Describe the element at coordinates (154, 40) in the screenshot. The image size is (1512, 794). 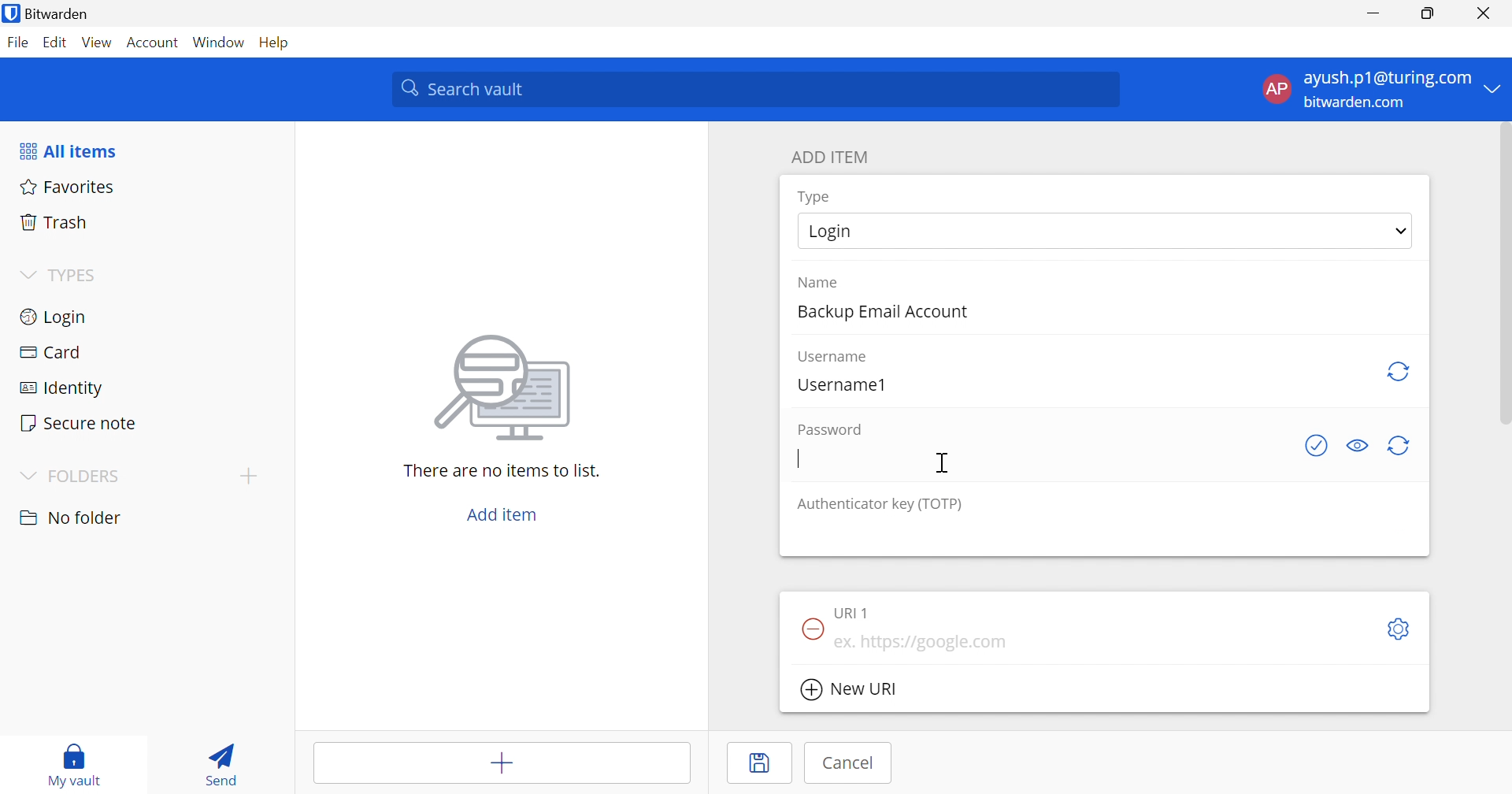
I see `Account` at that location.